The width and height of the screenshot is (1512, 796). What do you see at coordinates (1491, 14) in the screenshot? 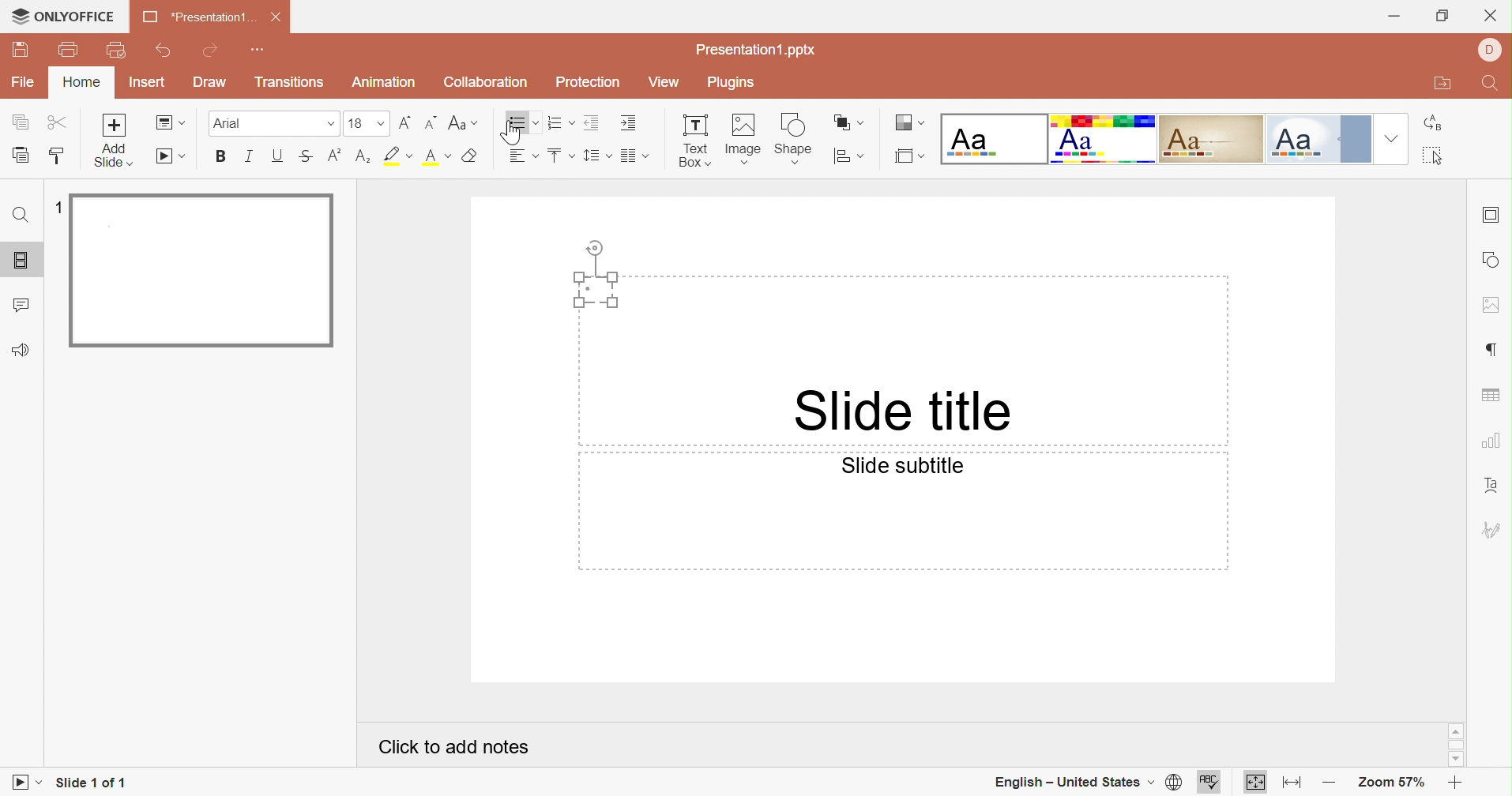
I see `Close` at bounding box center [1491, 14].